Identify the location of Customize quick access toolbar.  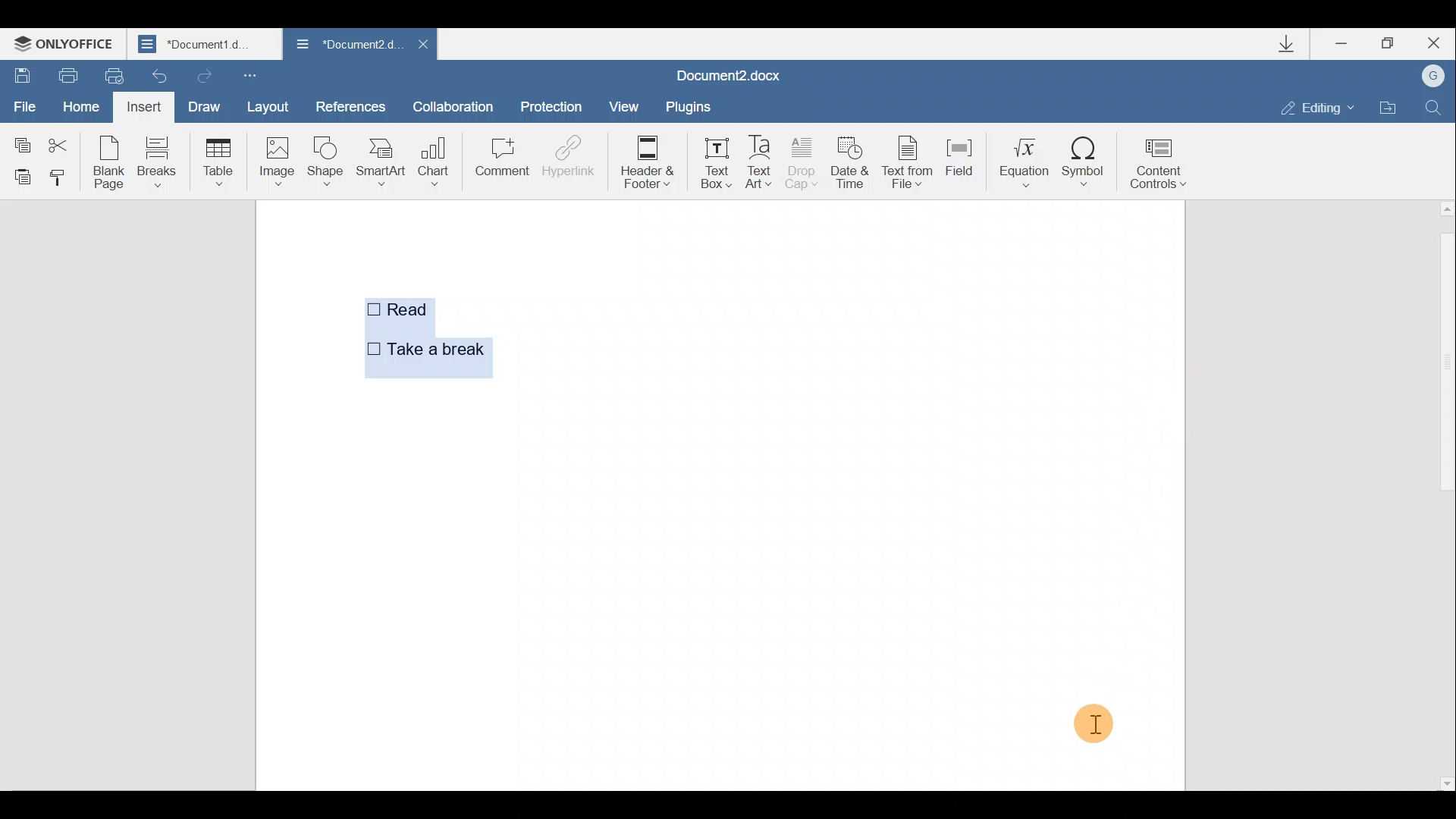
(249, 76).